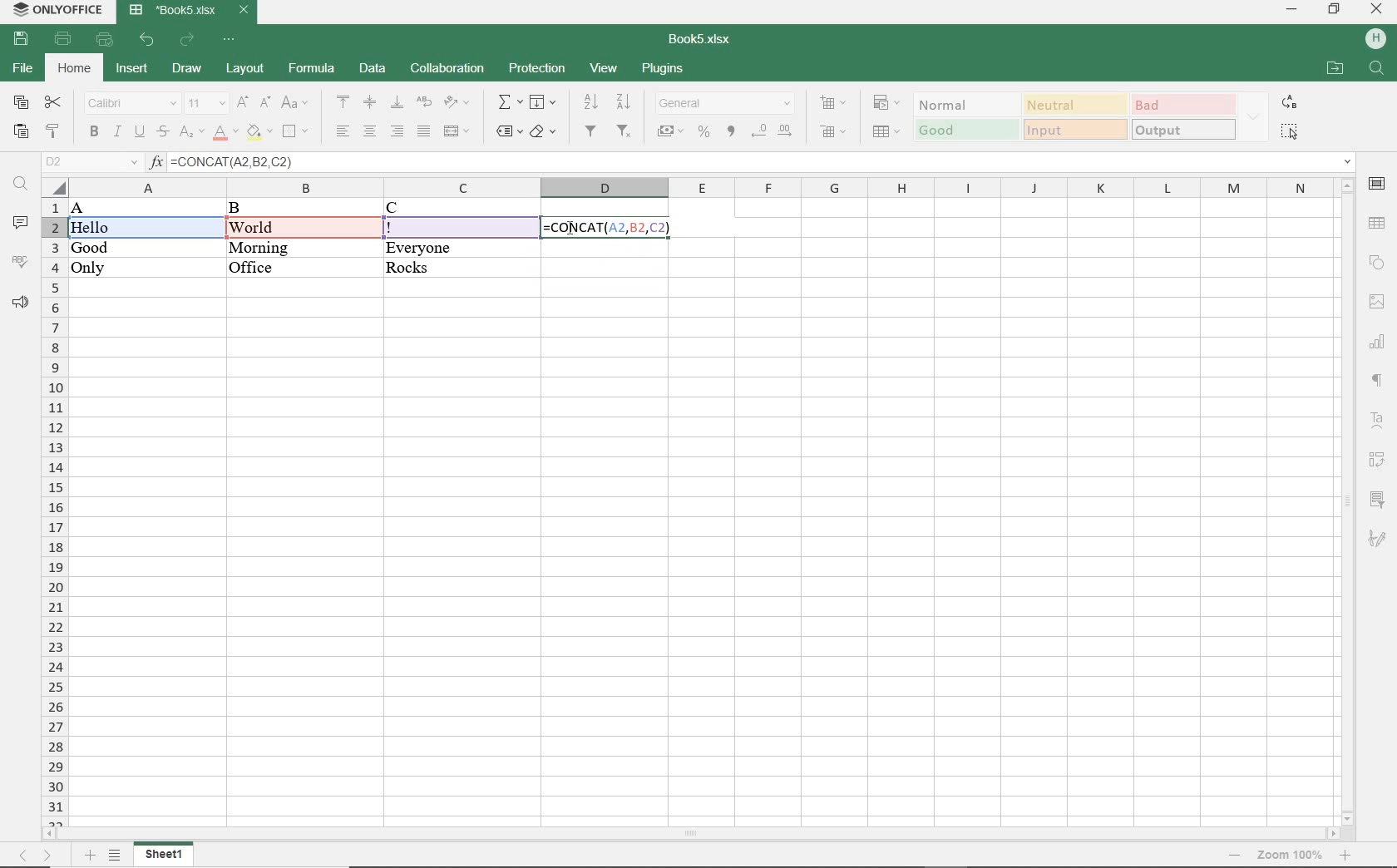 Image resolution: width=1397 pixels, height=868 pixels. What do you see at coordinates (54, 103) in the screenshot?
I see `CUT` at bounding box center [54, 103].